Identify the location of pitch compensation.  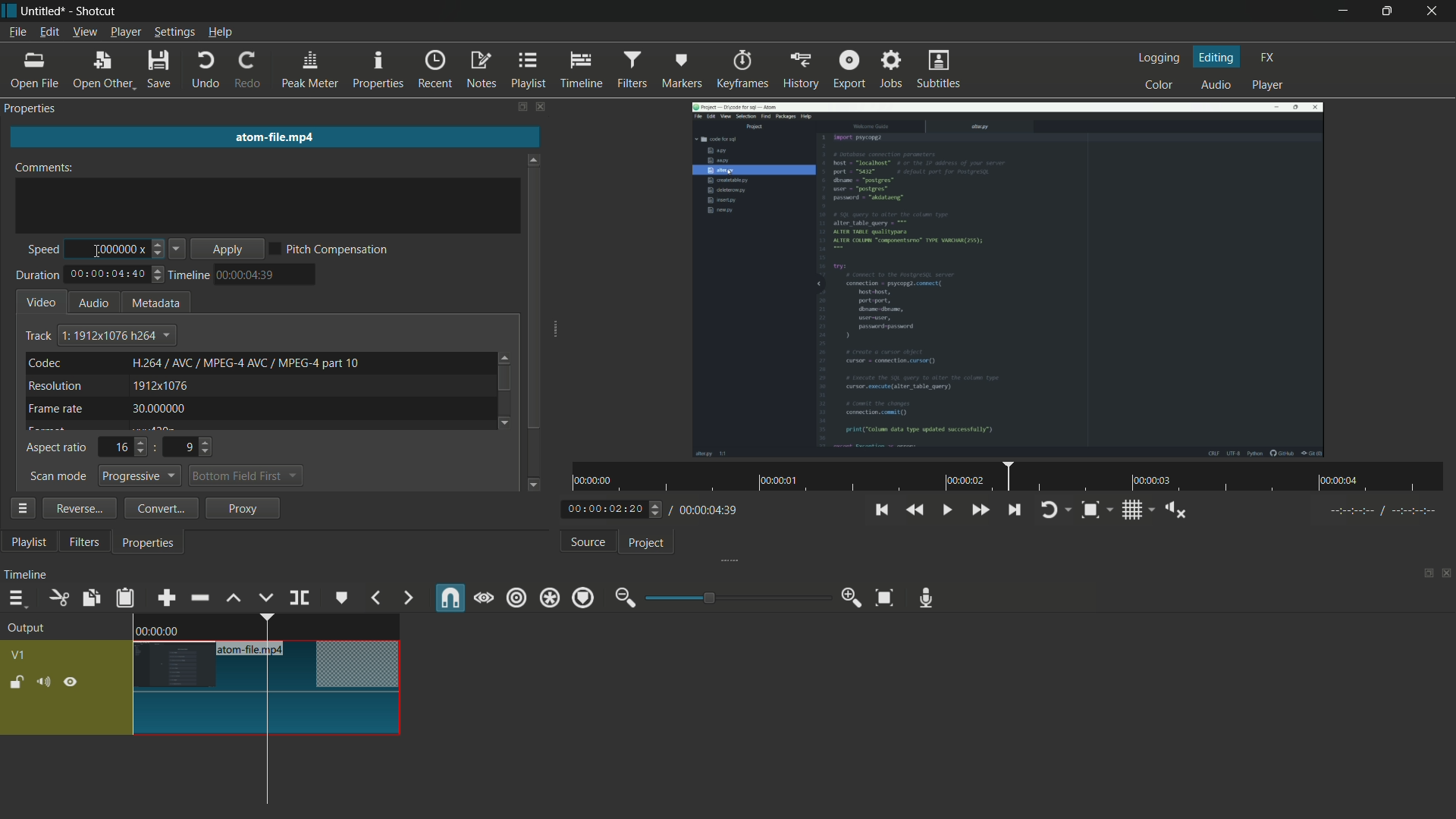
(331, 249).